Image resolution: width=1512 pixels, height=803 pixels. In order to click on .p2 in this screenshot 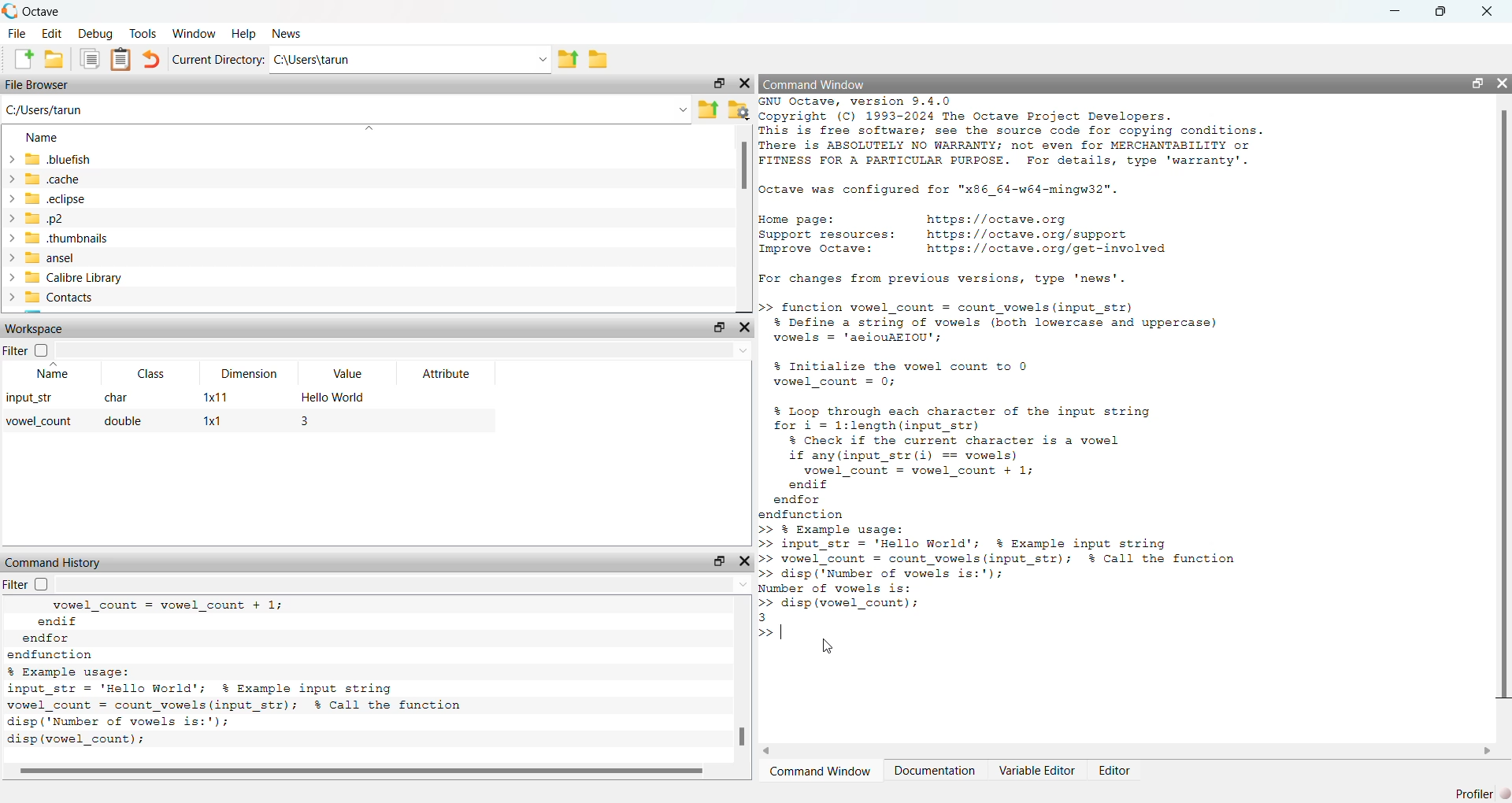, I will do `click(45, 218)`.